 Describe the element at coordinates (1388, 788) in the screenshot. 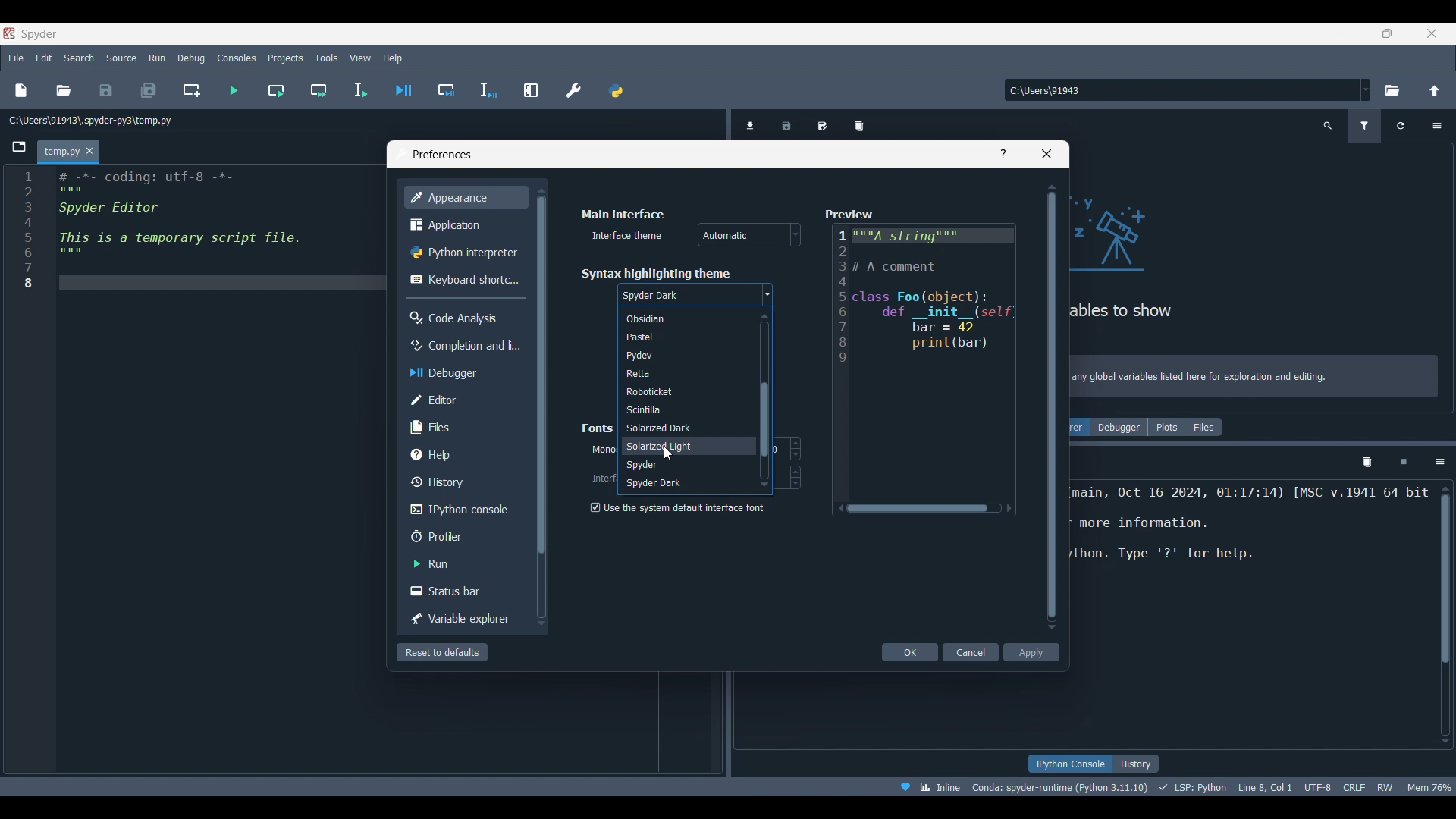

I see `rw` at that location.